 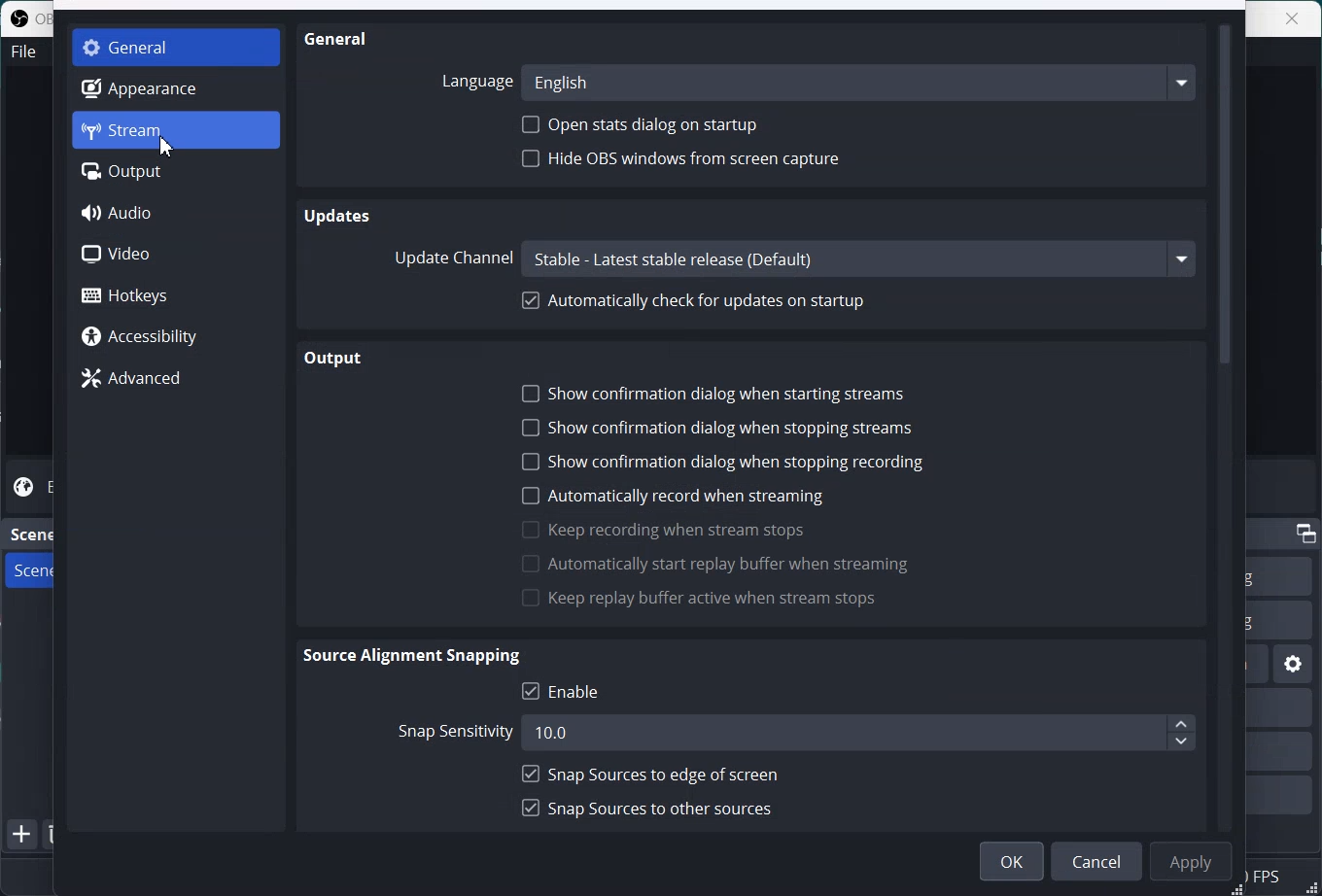 I want to click on Cursor, so click(x=163, y=150).